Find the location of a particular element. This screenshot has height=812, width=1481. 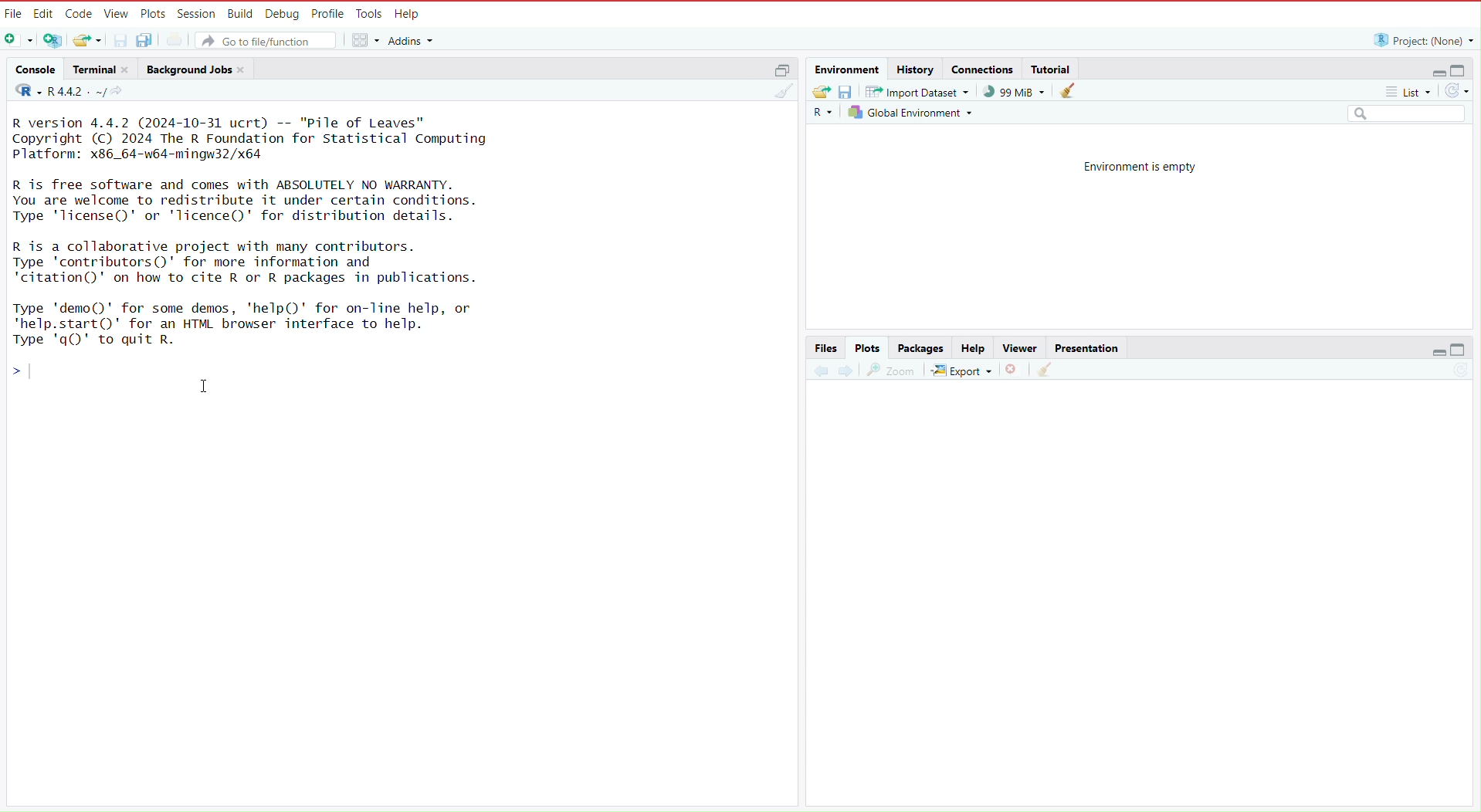

Type 'demo()' for some demos, 'help()' for on-line help, or
'help.start()' for an HTML browser interface to help.
Type 'q()' to quit R. is located at coordinates (256, 323).